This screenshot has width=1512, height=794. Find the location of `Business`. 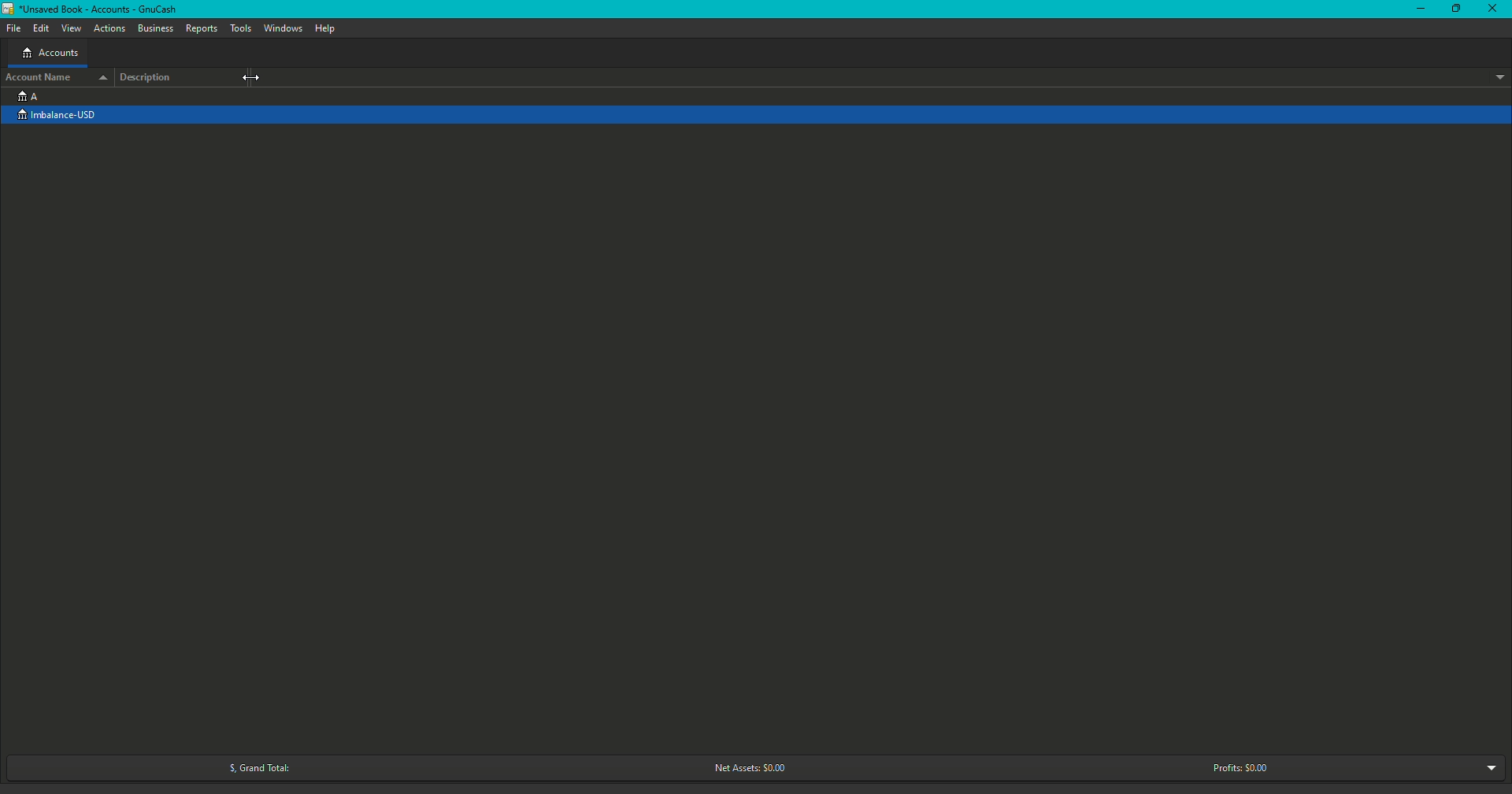

Business is located at coordinates (156, 29).